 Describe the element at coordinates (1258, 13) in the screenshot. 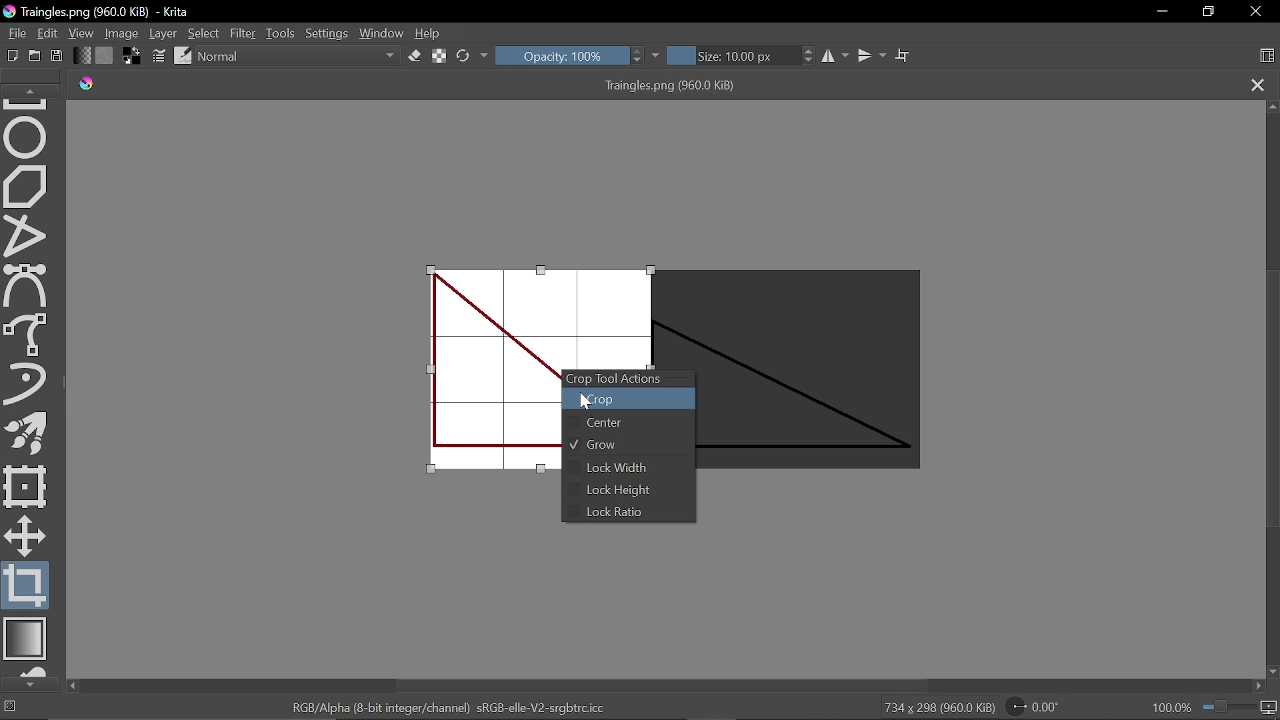

I see `Close` at that location.